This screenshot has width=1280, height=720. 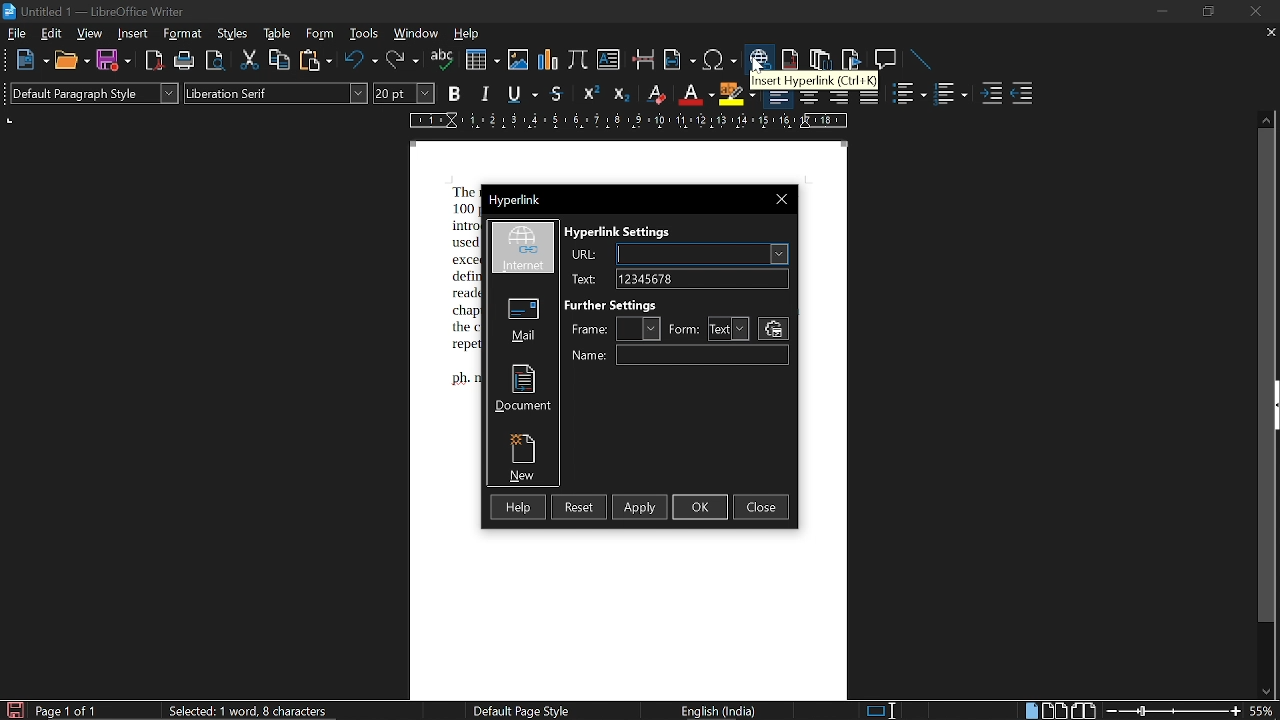 What do you see at coordinates (214, 60) in the screenshot?
I see `toggle print preview` at bounding box center [214, 60].